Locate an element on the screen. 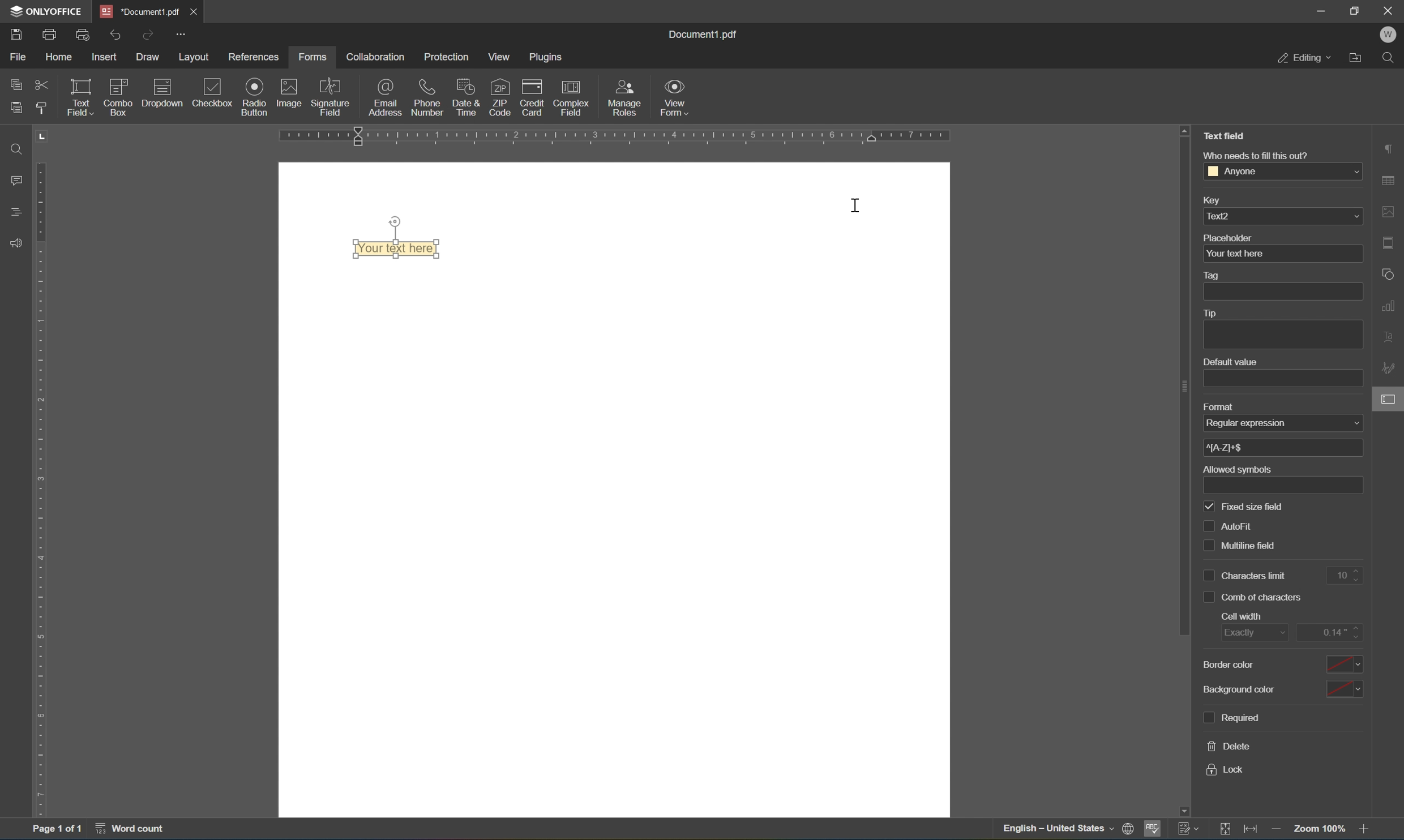 The image size is (1404, 840). dropdown is located at coordinates (161, 96).